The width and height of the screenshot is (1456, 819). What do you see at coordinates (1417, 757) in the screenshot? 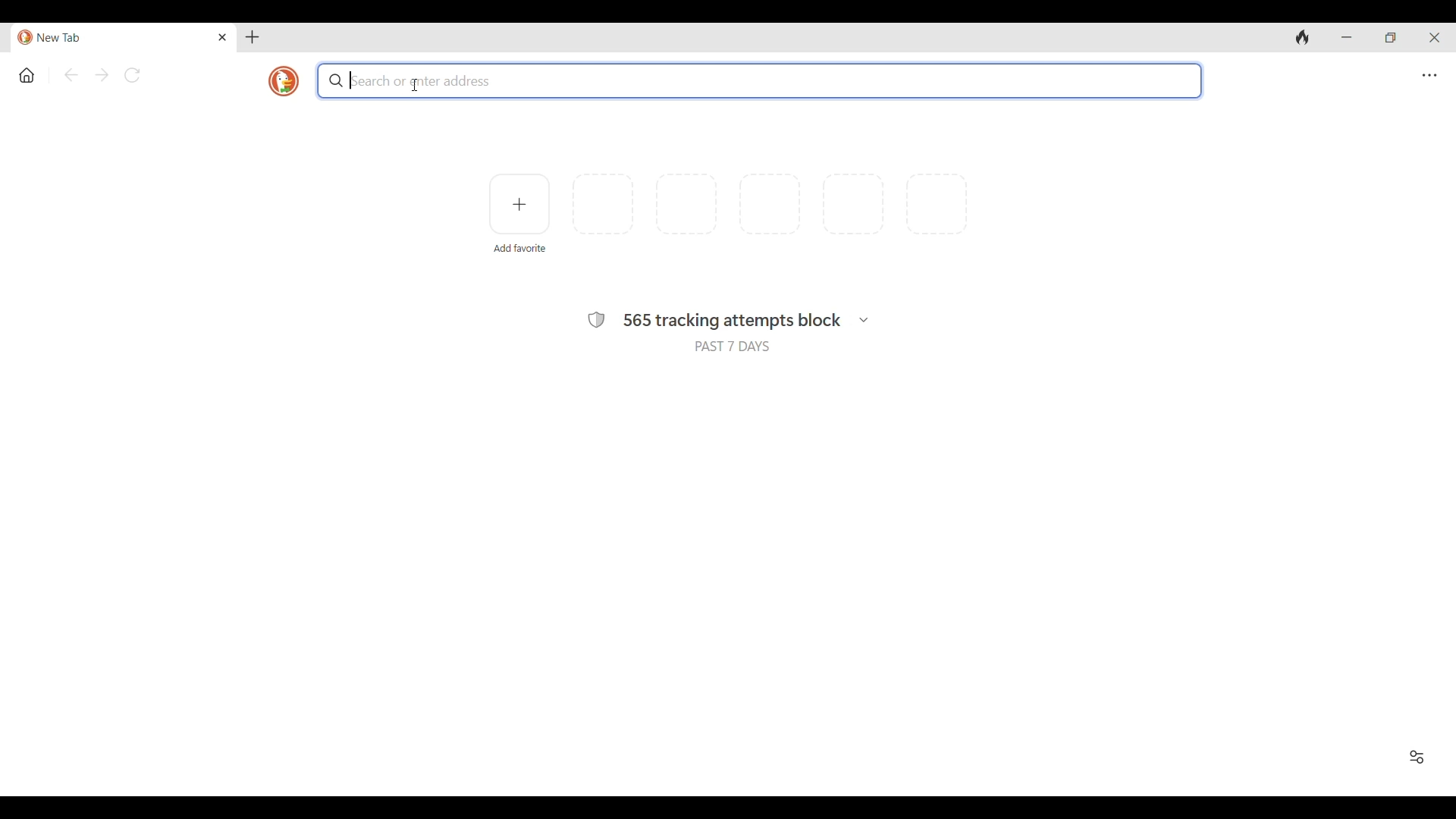
I see `Show/Hide recent activity and favorites` at bounding box center [1417, 757].